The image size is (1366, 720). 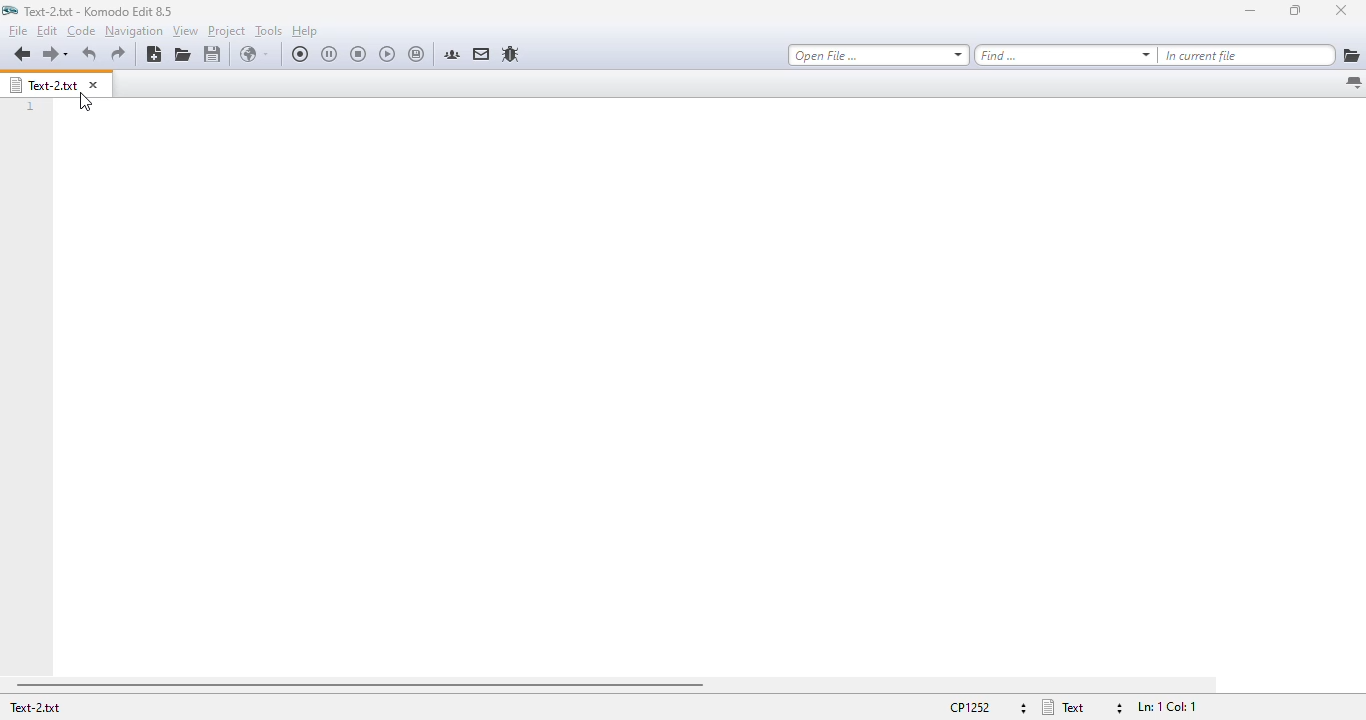 I want to click on pause macro recording, so click(x=330, y=54).